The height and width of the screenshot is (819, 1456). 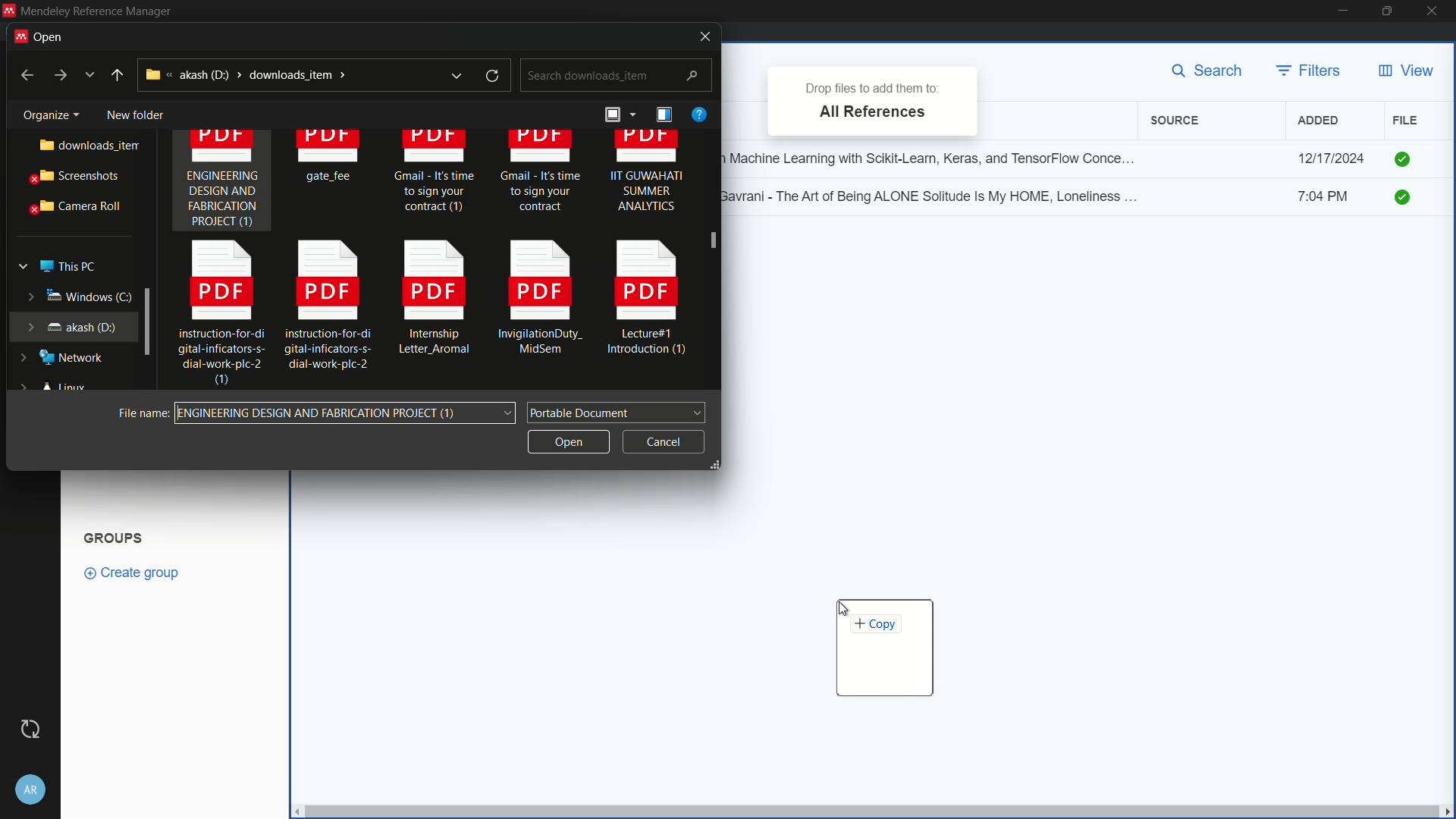 I want to click on new folder, so click(x=134, y=111).